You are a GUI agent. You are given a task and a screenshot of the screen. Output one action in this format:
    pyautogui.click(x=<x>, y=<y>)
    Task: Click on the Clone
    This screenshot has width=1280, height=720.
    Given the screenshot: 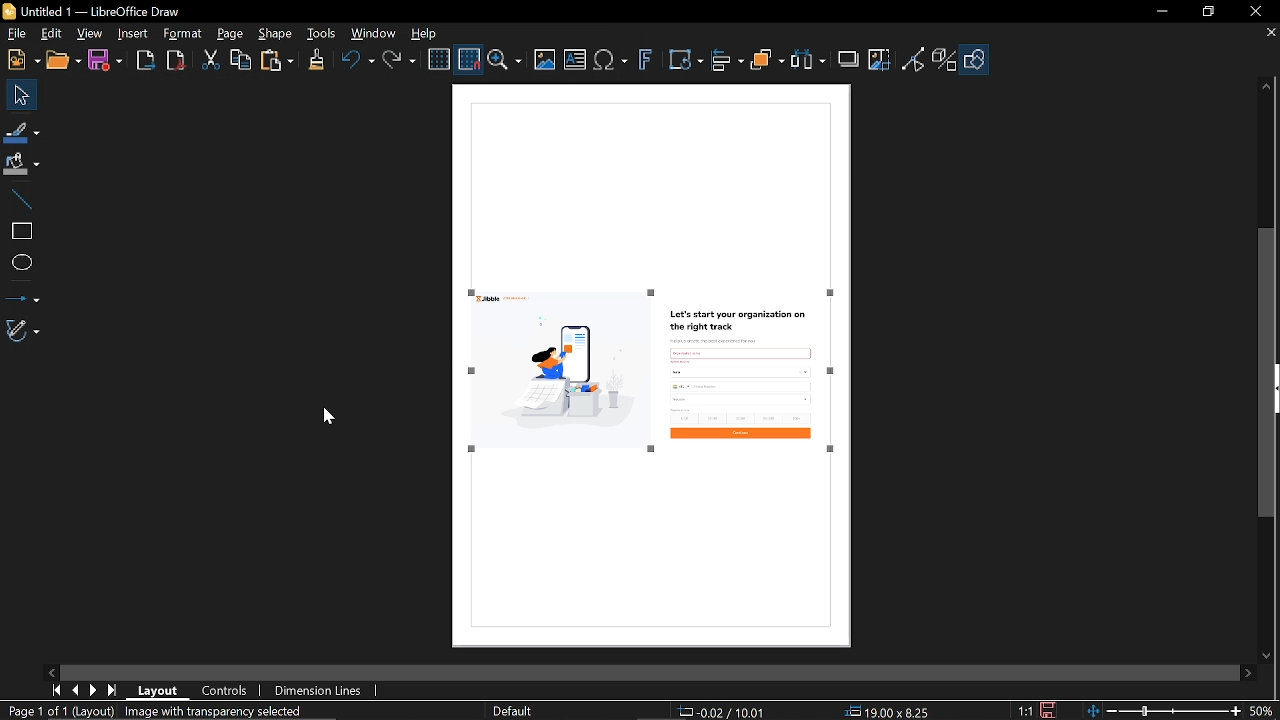 What is the action you would take?
    pyautogui.click(x=318, y=62)
    